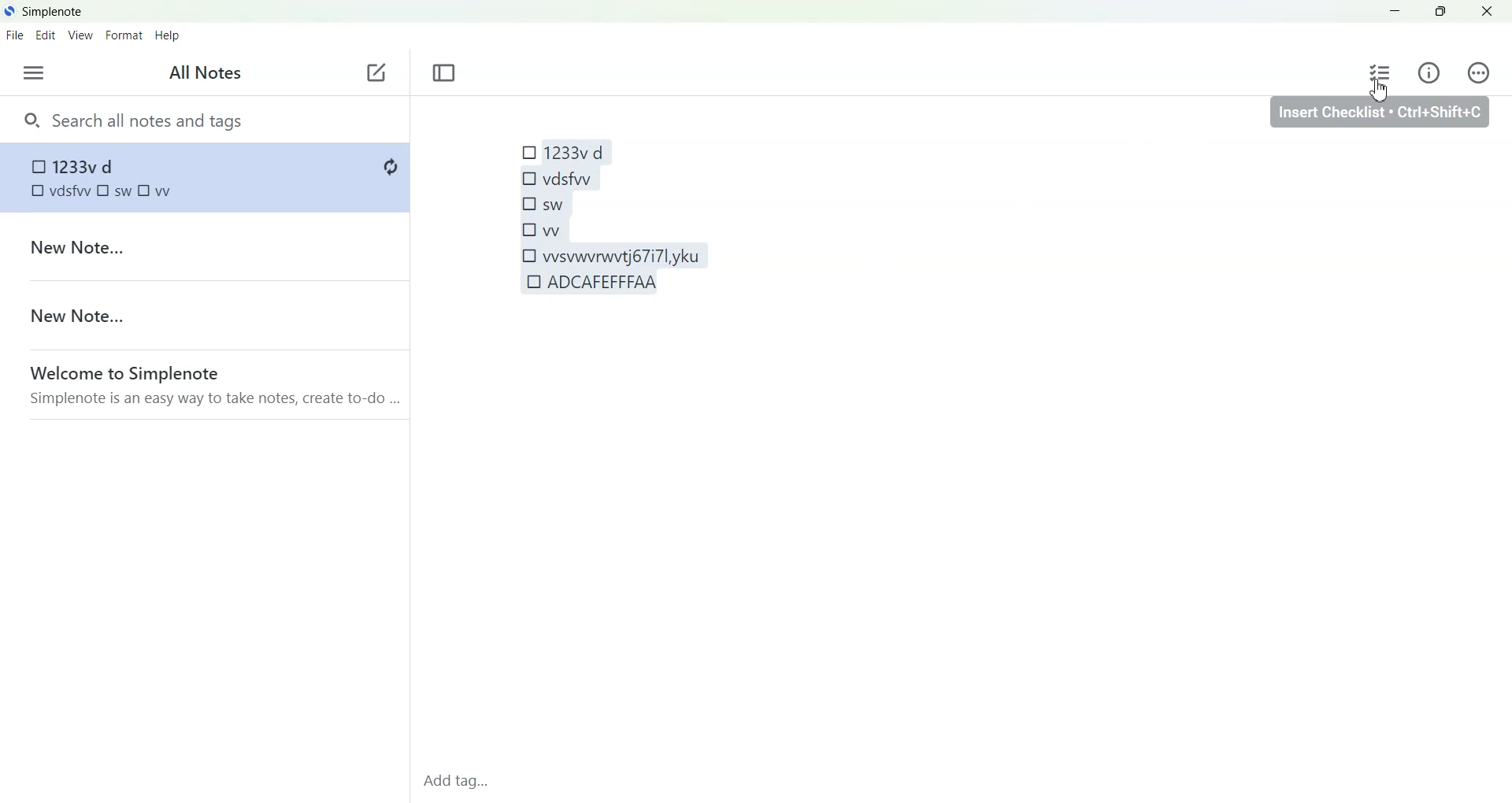  I want to click on New Note , so click(203, 246).